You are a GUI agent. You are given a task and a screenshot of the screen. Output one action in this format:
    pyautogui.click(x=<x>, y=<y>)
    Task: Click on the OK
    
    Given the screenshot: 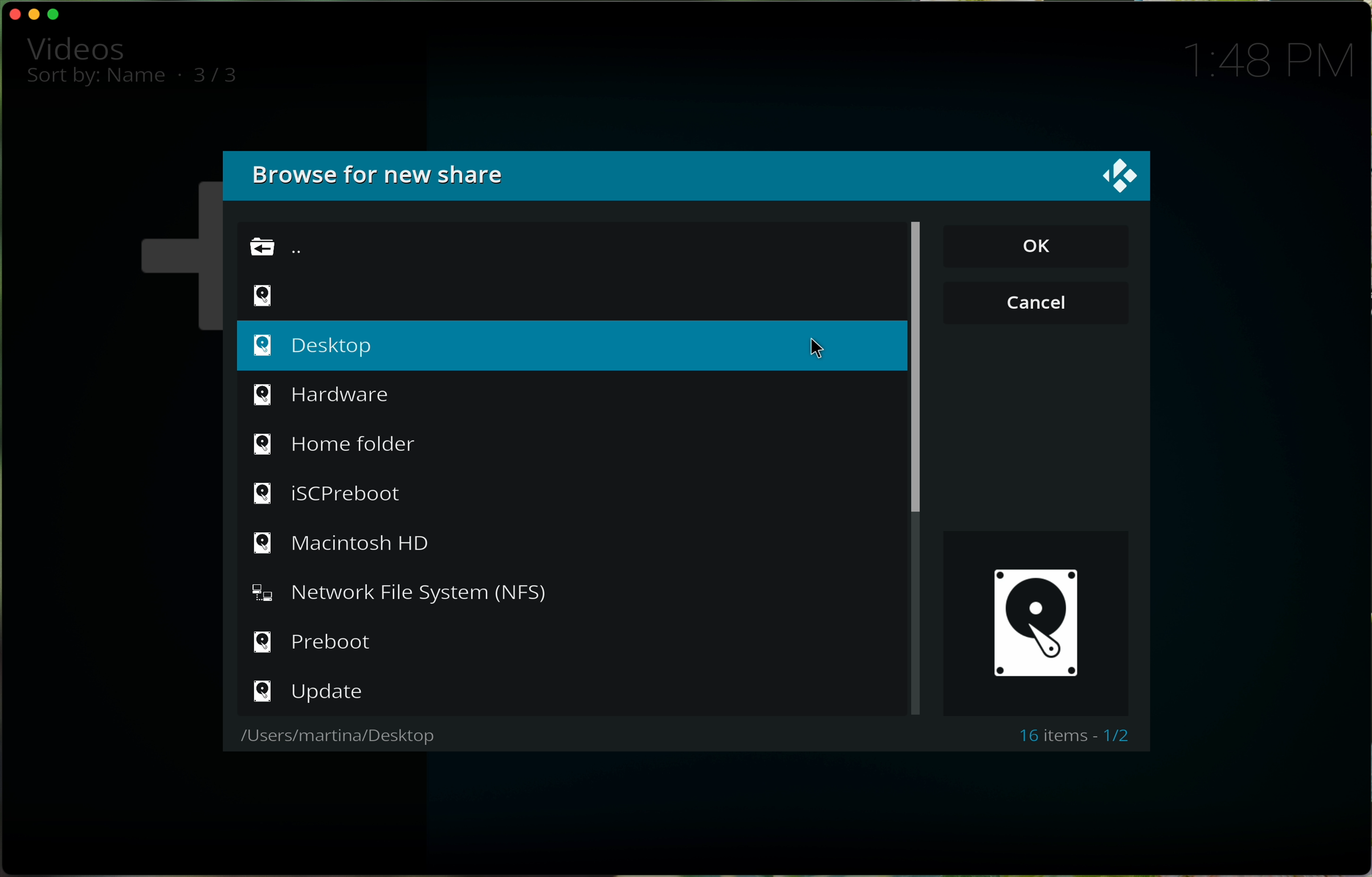 What is the action you would take?
    pyautogui.click(x=1038, y=247)
    